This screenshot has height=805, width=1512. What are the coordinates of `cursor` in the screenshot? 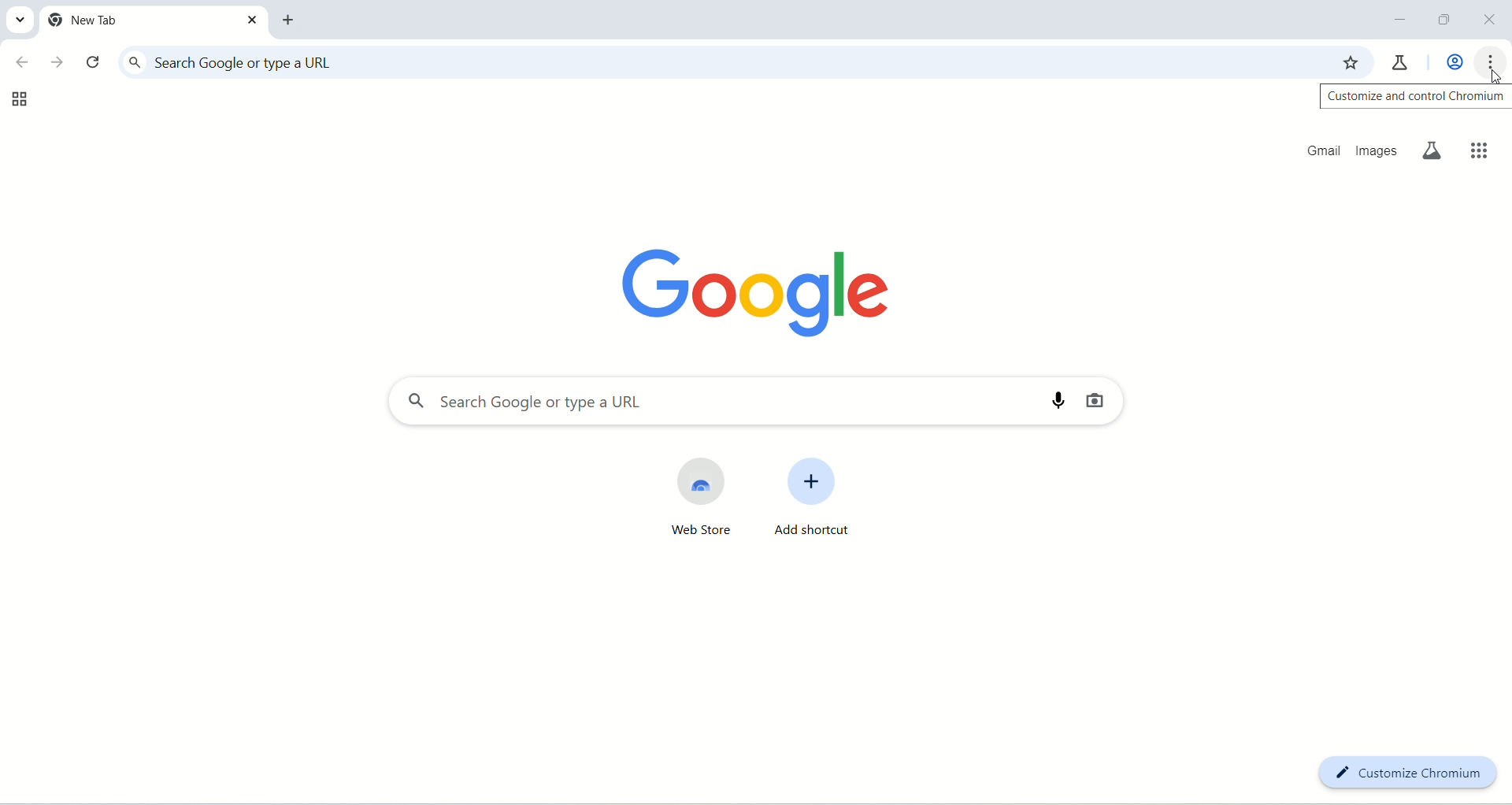 It's located at (1491, 75).